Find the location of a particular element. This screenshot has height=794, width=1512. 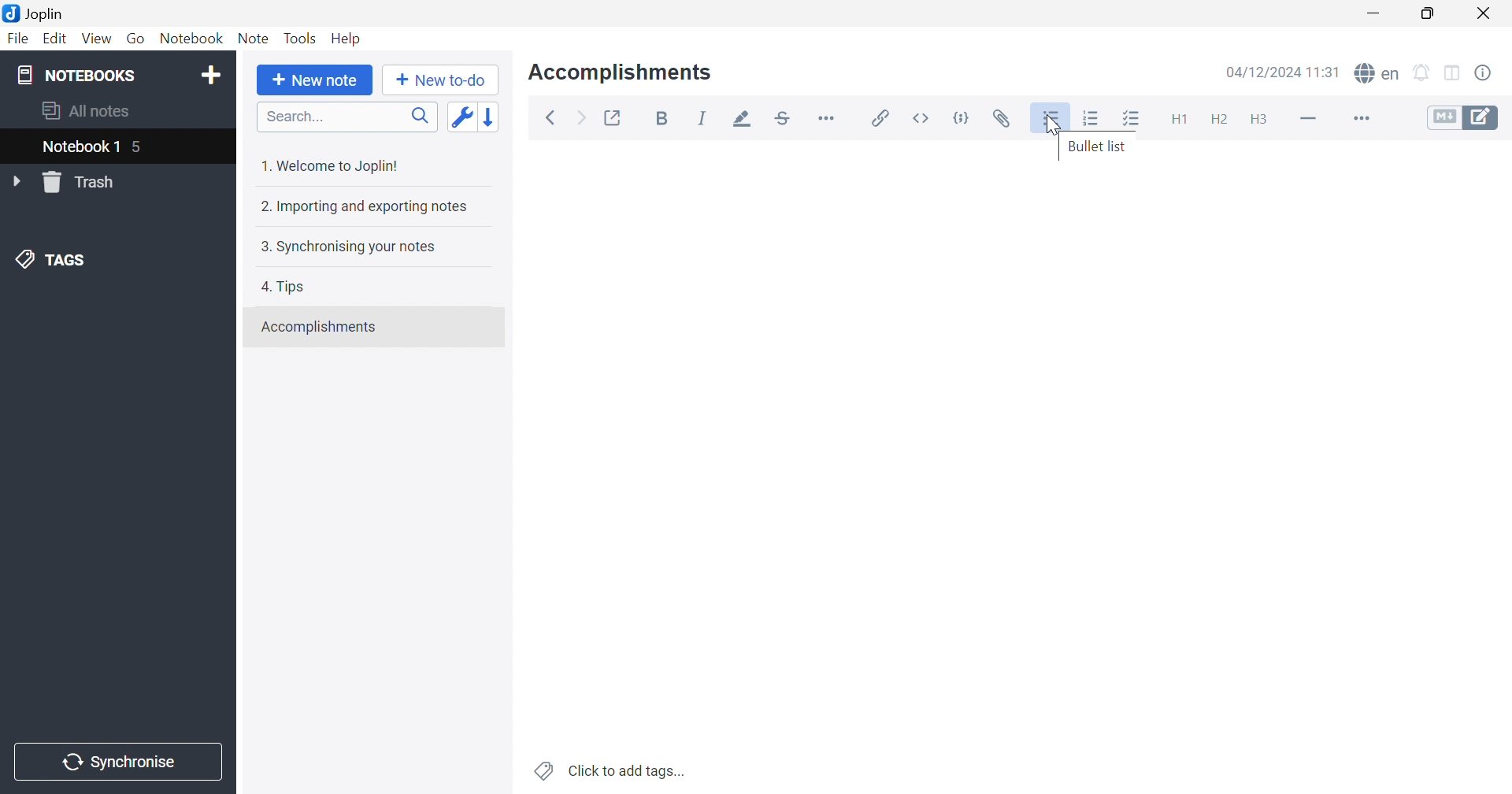

Restore Down is located at coordinates (1429, 14).